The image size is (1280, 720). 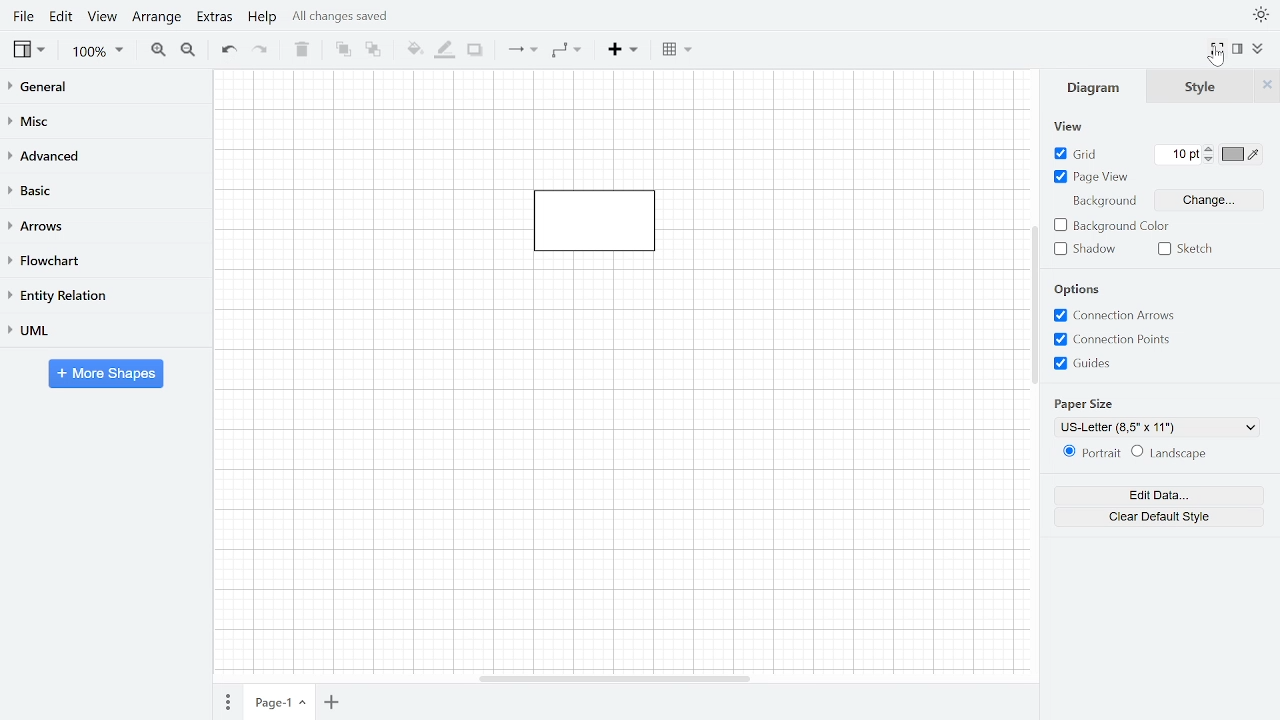 What do you see at coordinates (95, 51) in the screenshot?
I see `Zoom` at bounding box center [95, 51].